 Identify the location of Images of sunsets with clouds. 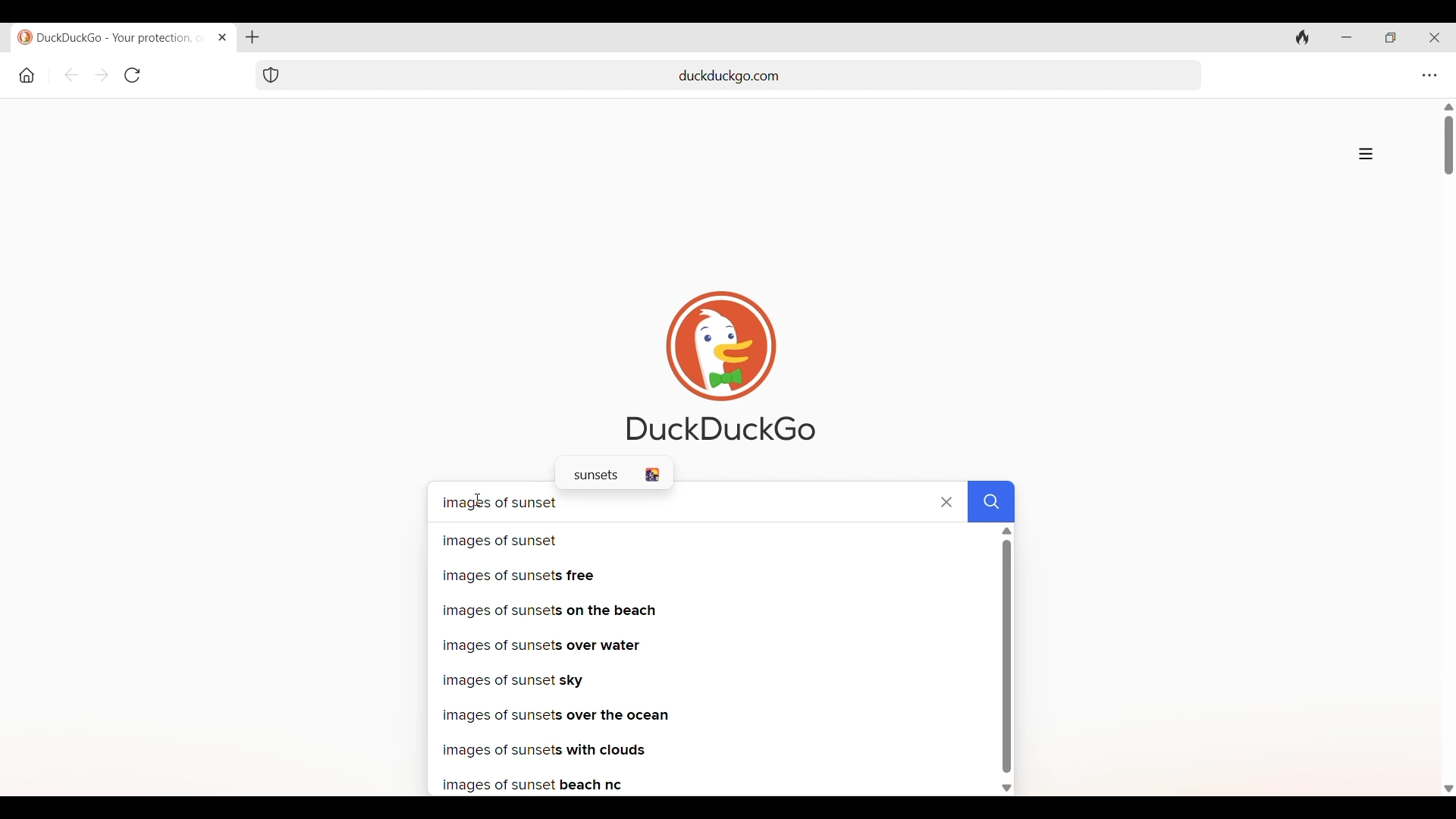
(711, 752).